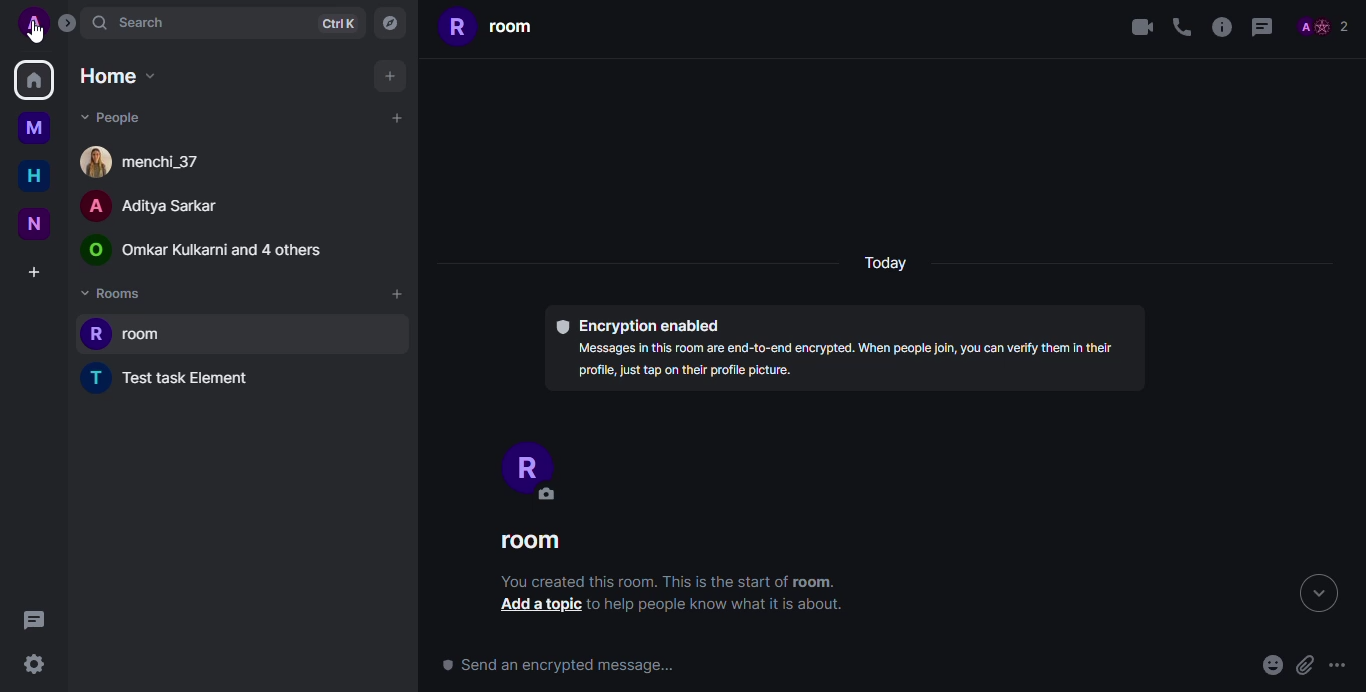 The width and height of the screenshot is (1366, 692). What do you see at coordinates (32, 176) in the screenshot?
I see `home` at bounding box center [32, 176].